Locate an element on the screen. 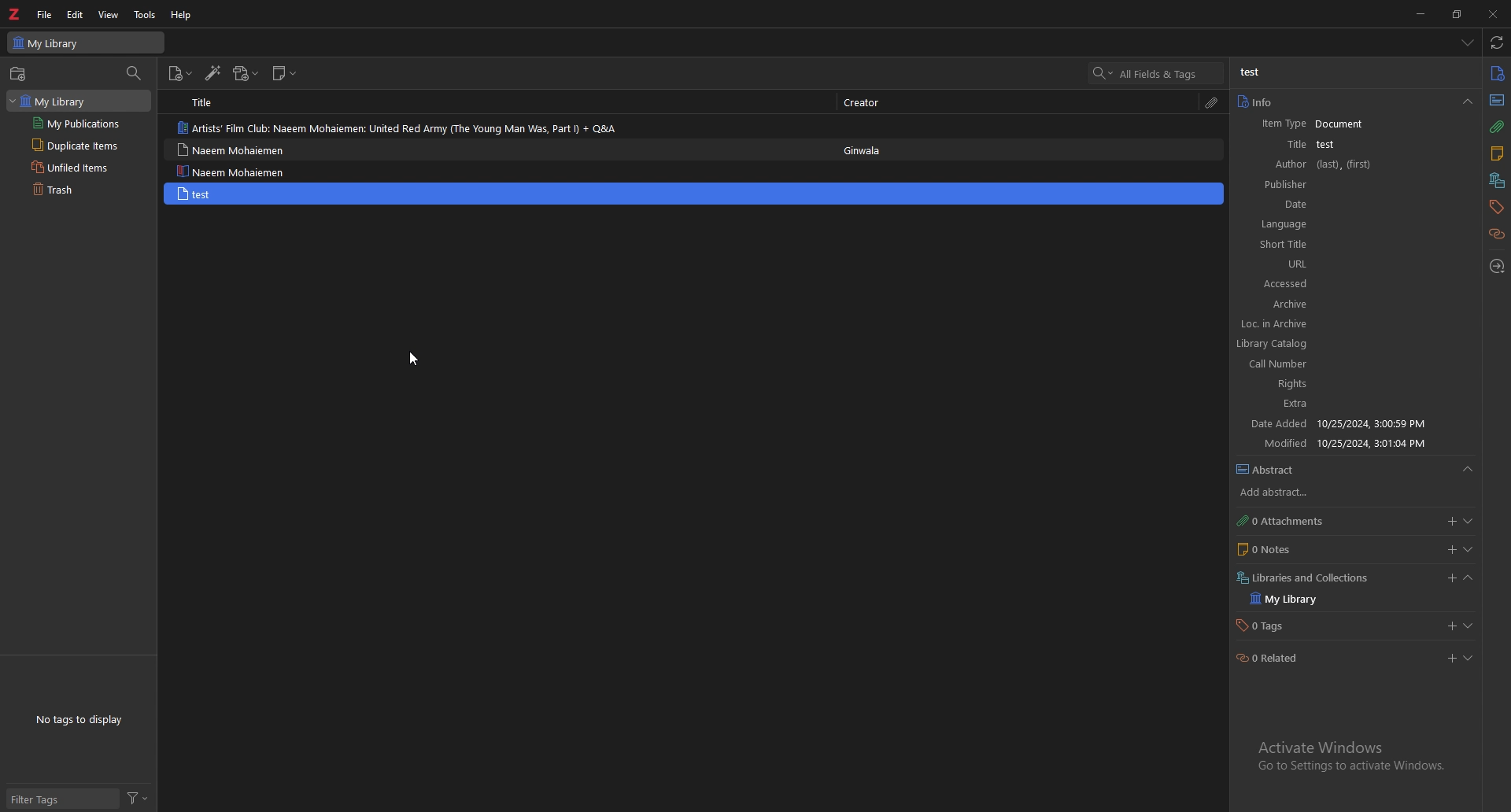 The image size is (1511, 812). url input is located at coordinates (1365, 264).